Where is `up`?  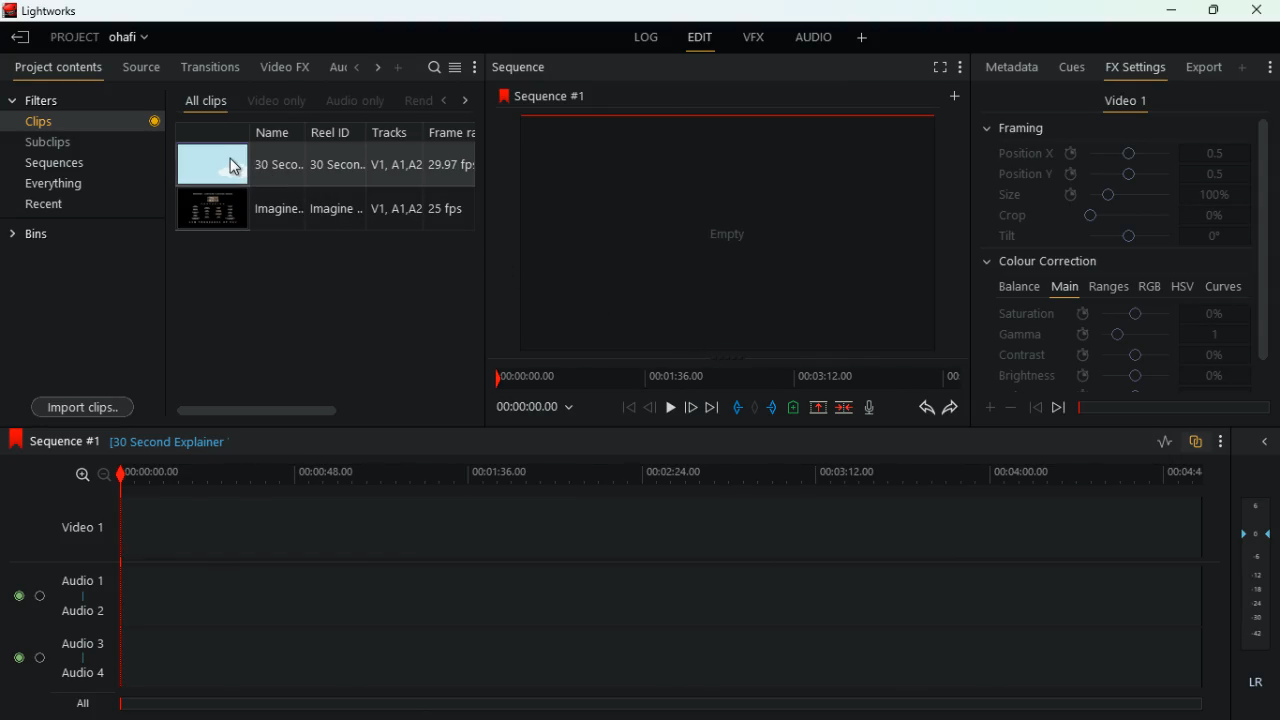
up is located at coordinates (819, 409).